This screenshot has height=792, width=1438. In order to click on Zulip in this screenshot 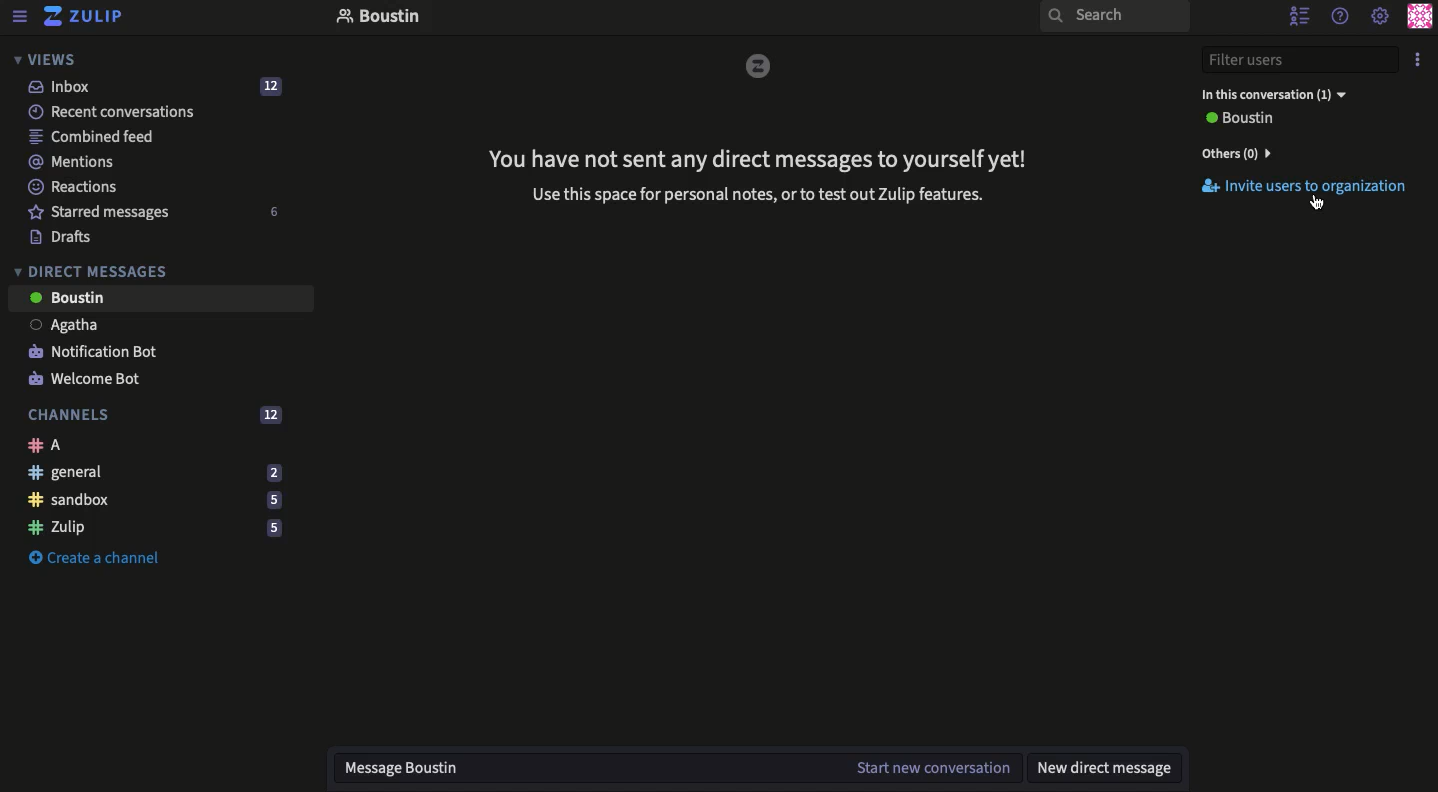, I will do `click(85, 17)`.